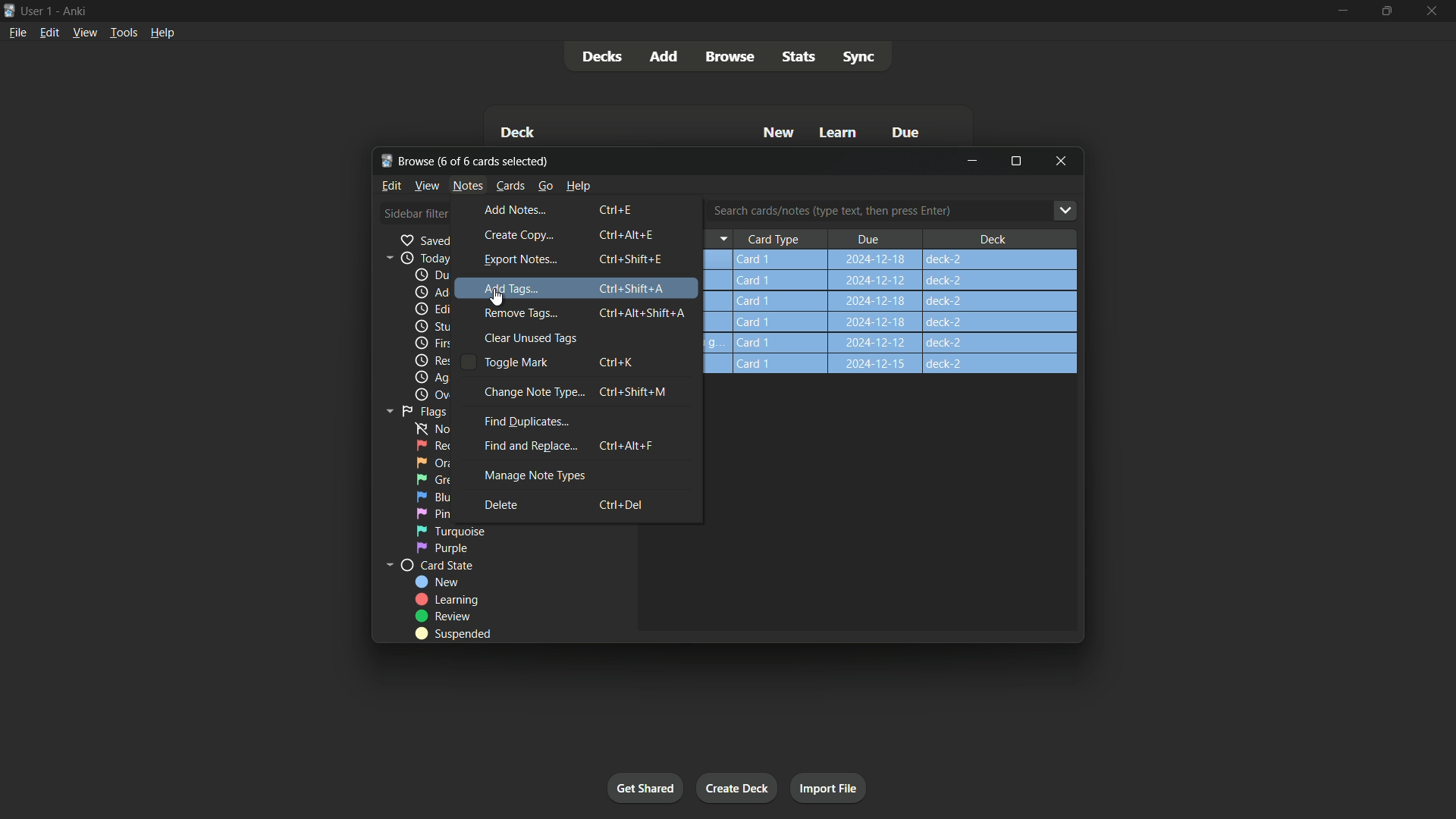  What do you see at coordinates (781, 239) in the screenshot?
I see `Card Type` at bounding box center [781, 239].